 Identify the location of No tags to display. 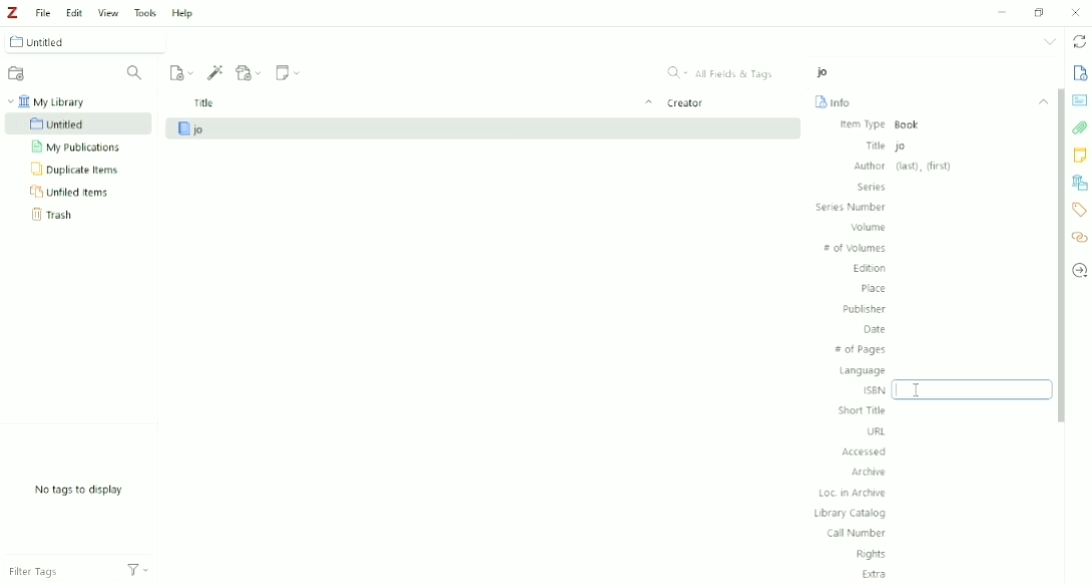
(85, 489).